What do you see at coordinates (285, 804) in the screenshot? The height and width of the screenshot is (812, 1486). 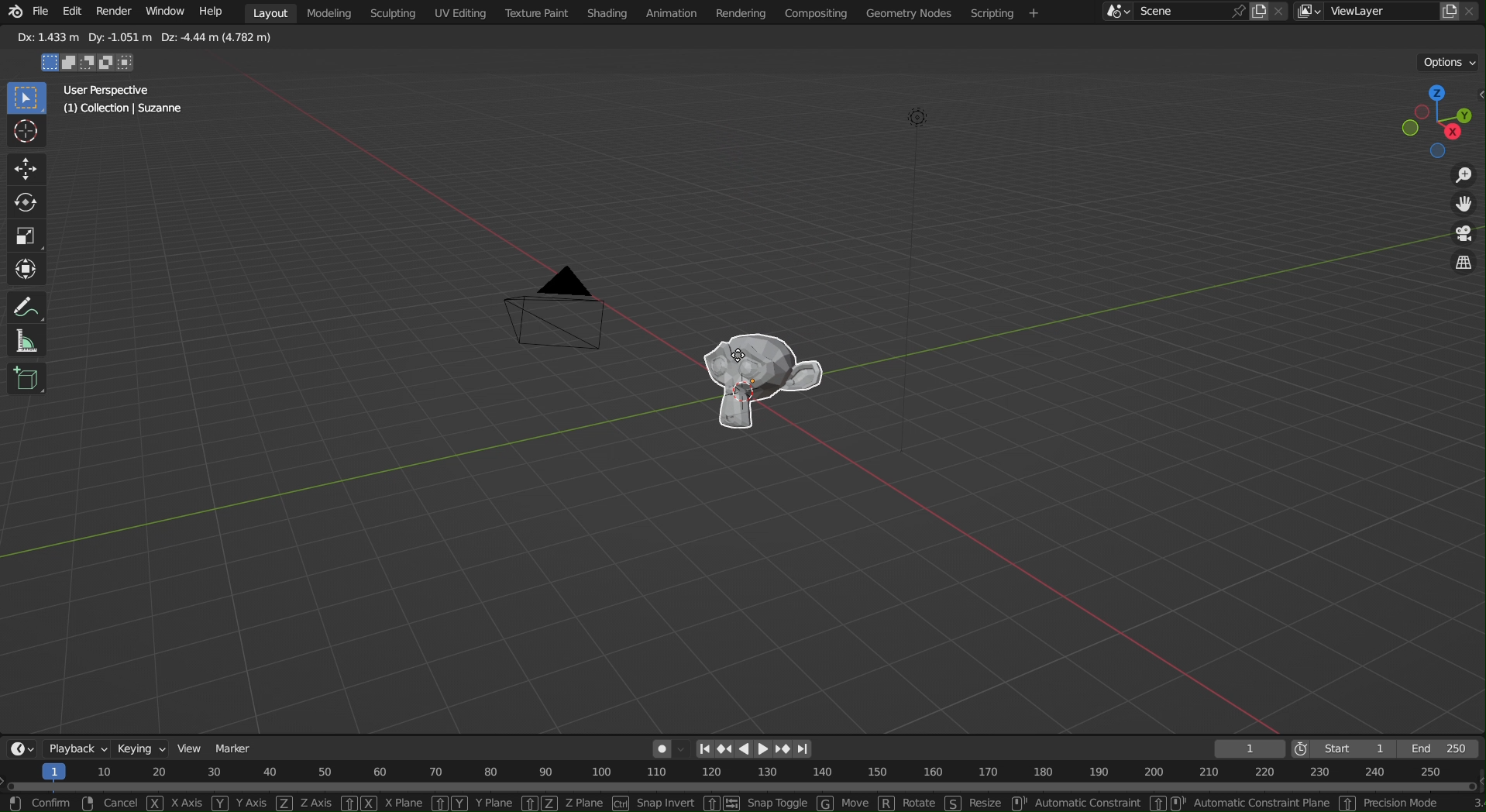 I see `Z` at bounding box center [285, 804].